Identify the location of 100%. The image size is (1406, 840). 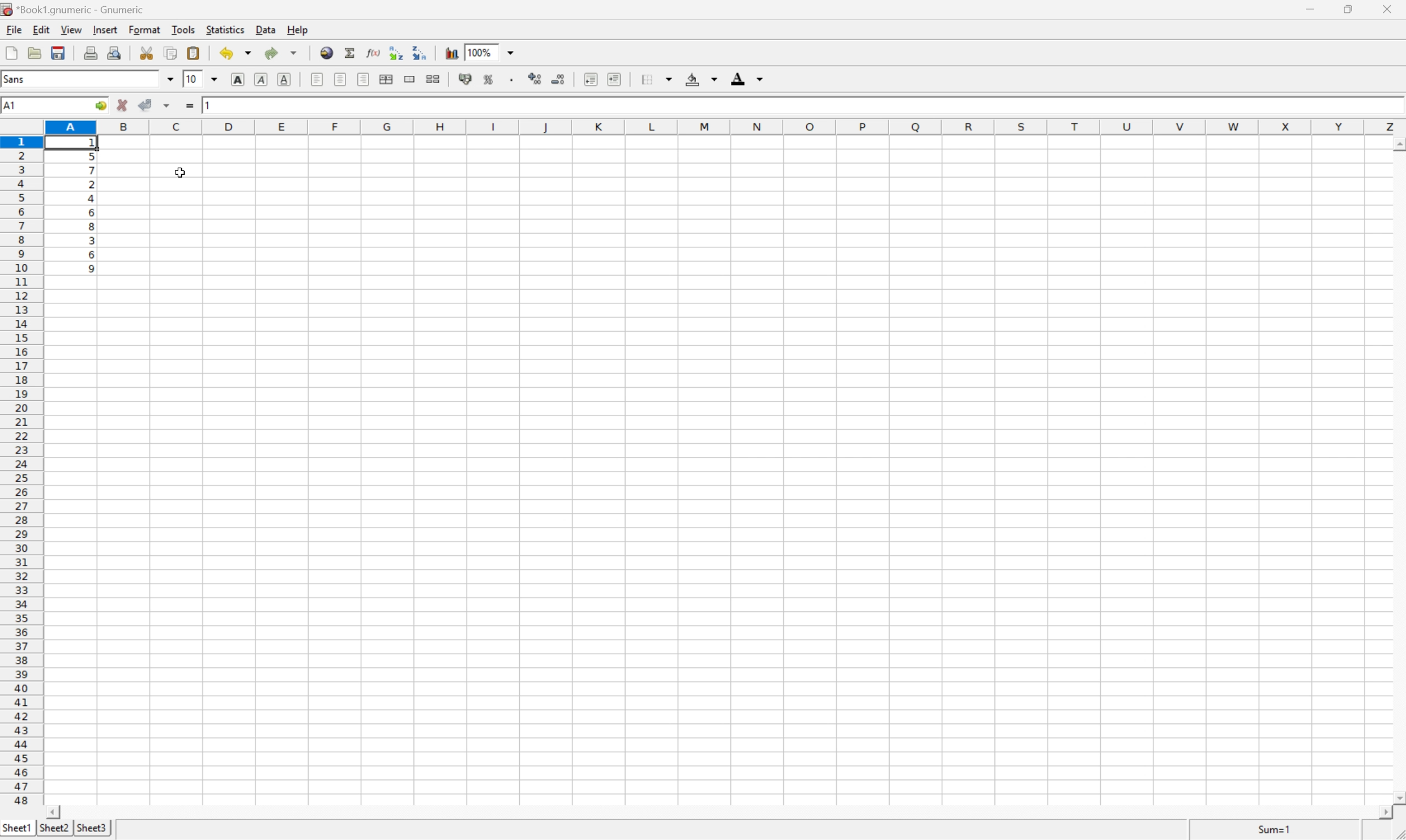
(478, 52).